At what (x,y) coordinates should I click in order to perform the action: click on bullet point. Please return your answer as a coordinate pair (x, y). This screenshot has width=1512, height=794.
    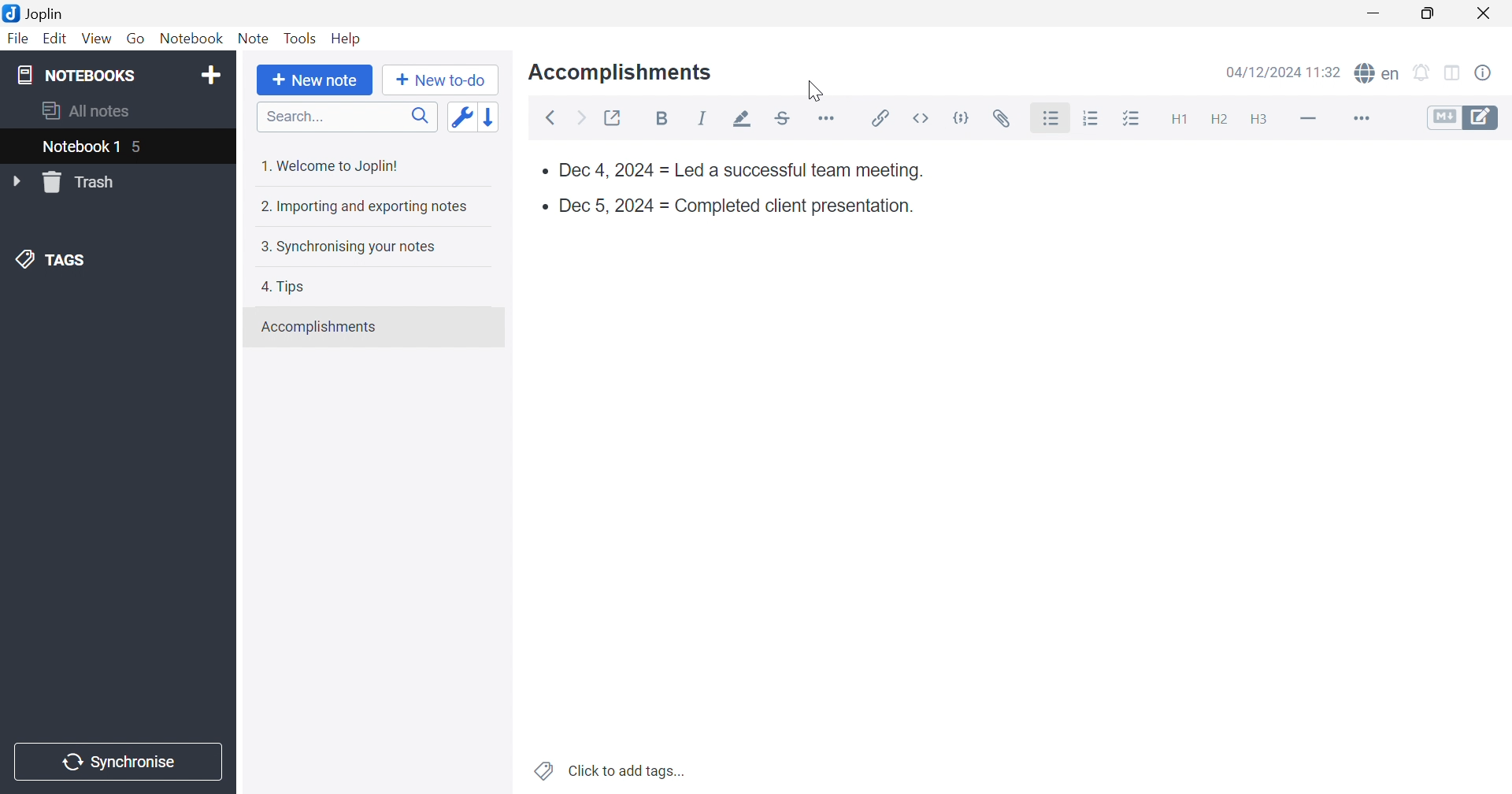
    Looking at the image, I should click on (539, 171).